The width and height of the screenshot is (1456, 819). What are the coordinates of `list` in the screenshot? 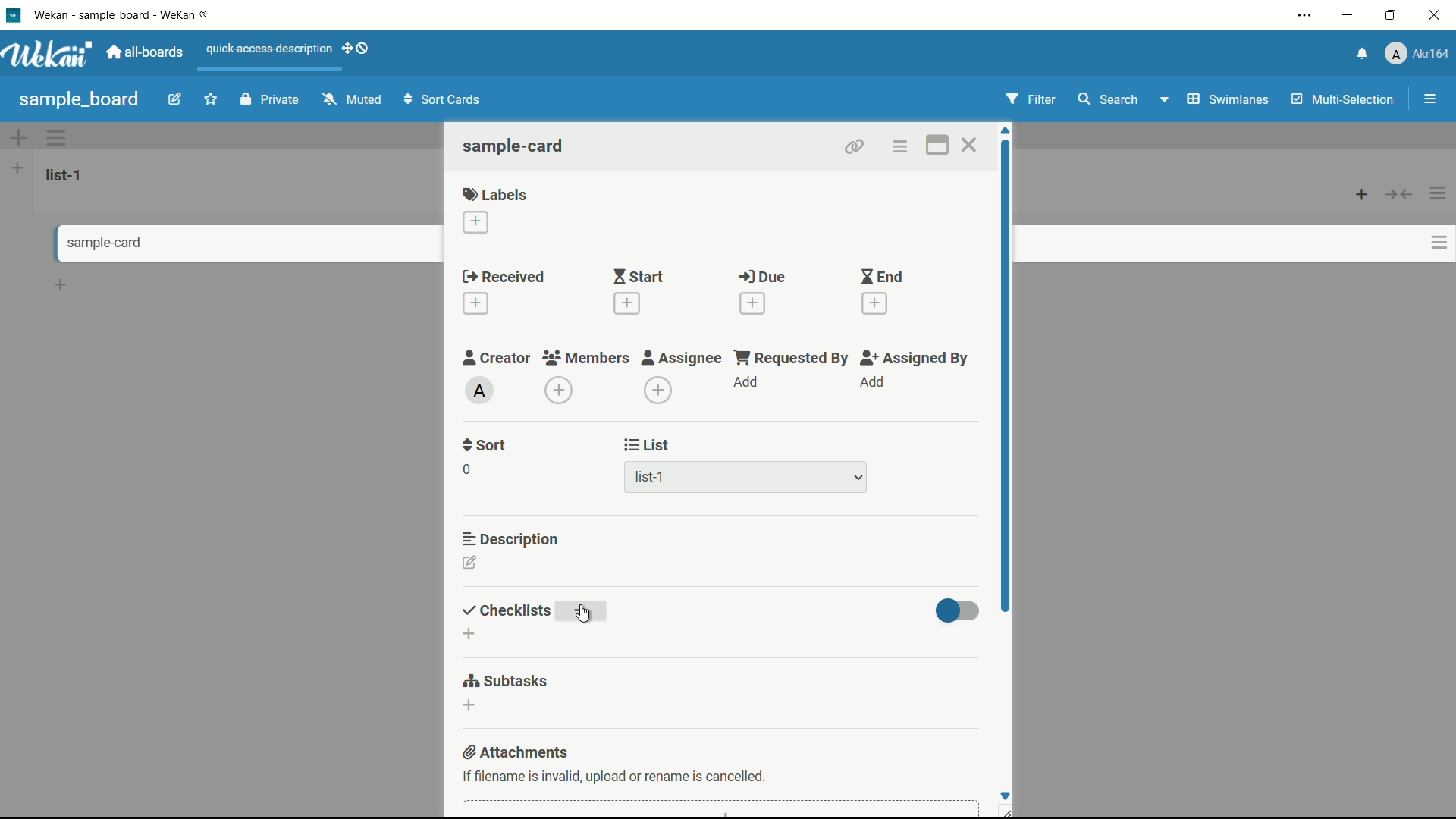 It's located at (648, 445).